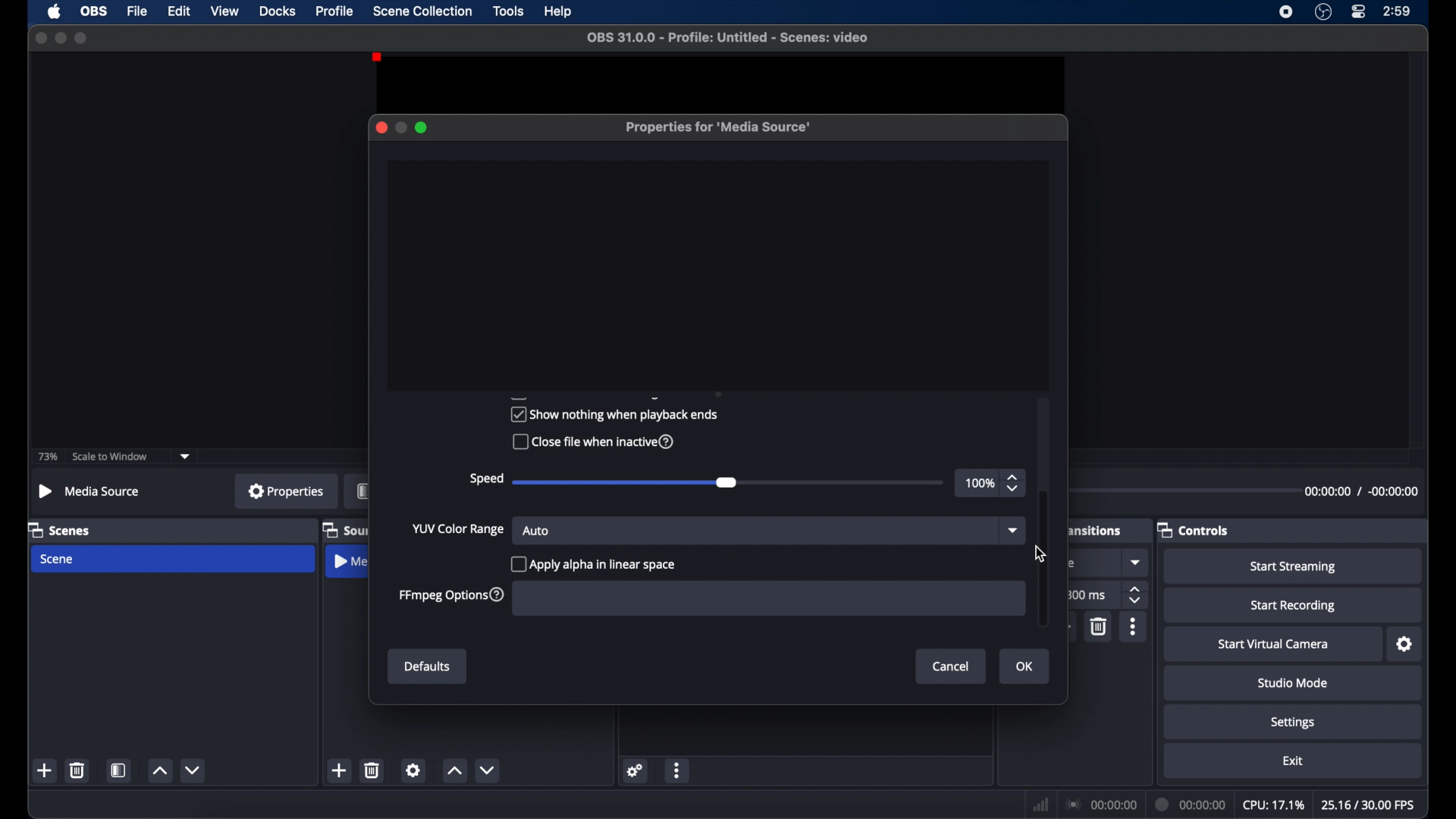 Image resolution: width=1456 pixels, height=819 pixels. I want to click on maximize, so click(422, 127).